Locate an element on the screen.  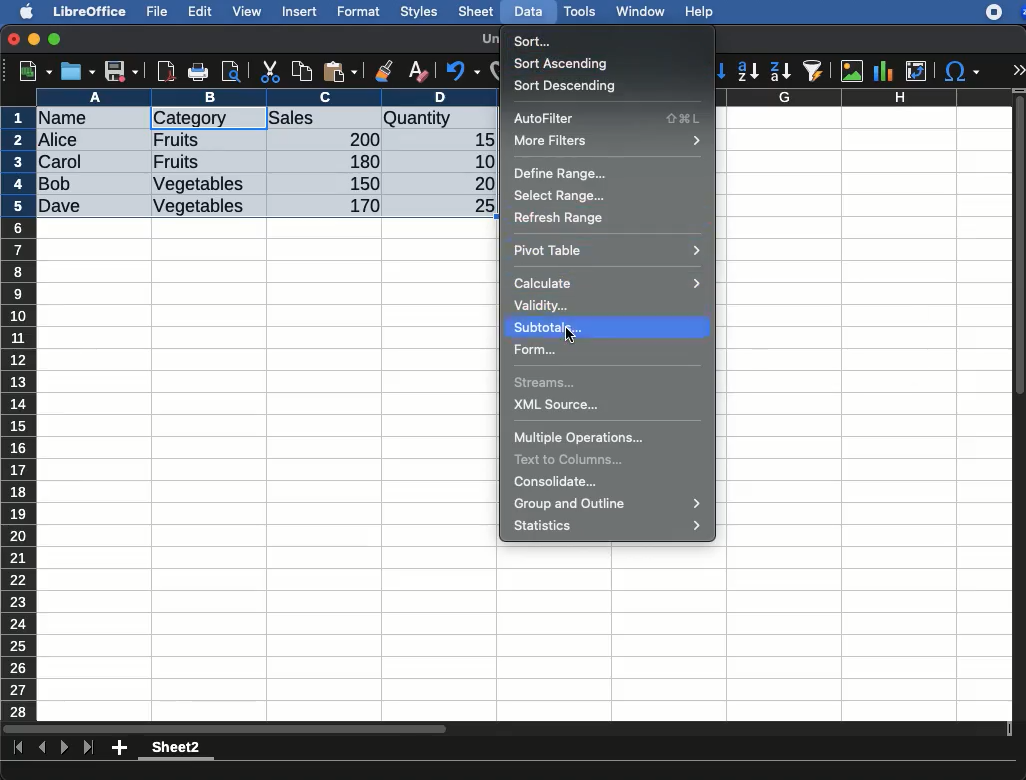
new is located at coordinates (31, 70).